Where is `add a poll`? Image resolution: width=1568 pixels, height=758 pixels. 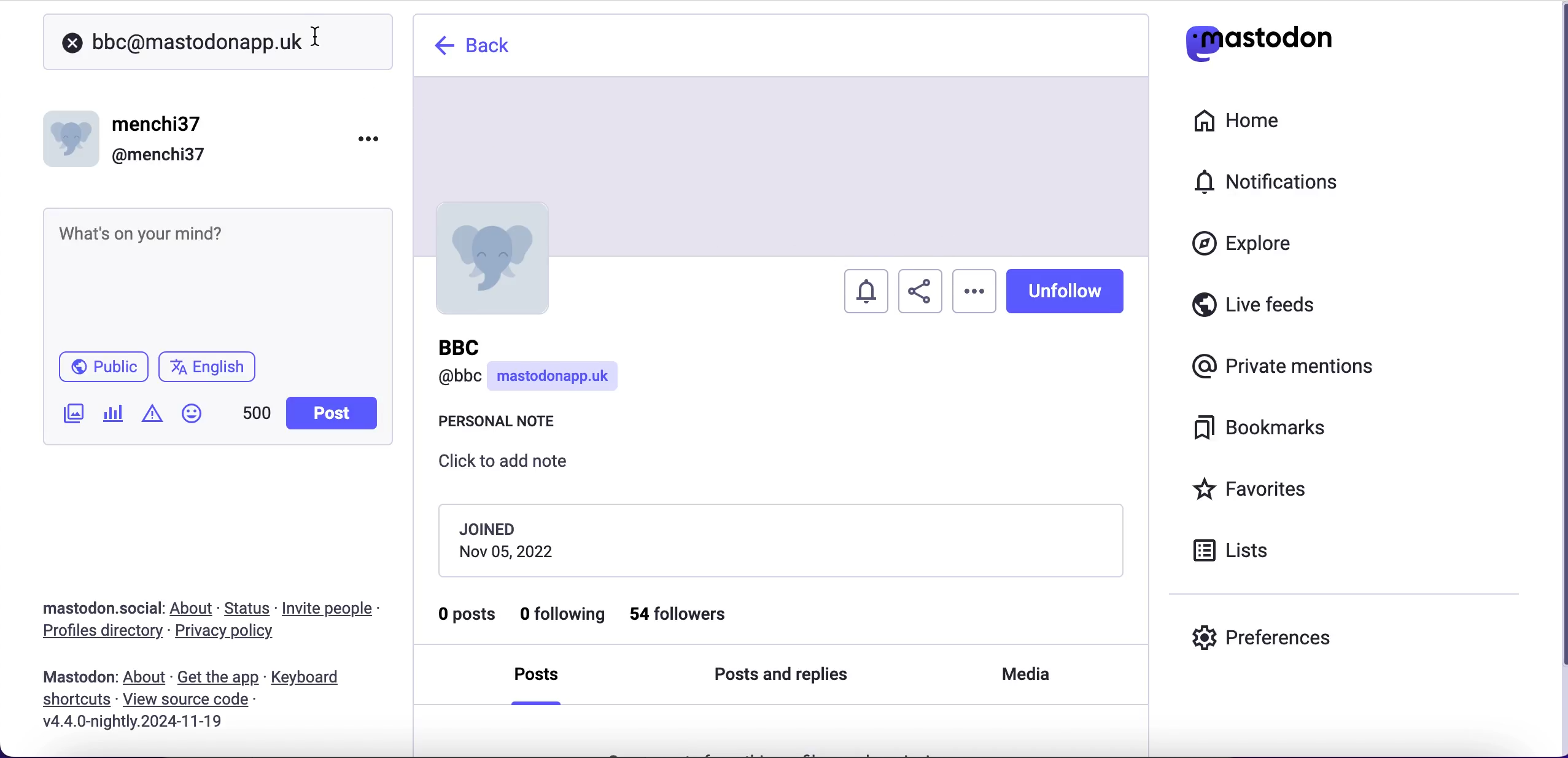 add a poll is located at coordinates (112, 418).